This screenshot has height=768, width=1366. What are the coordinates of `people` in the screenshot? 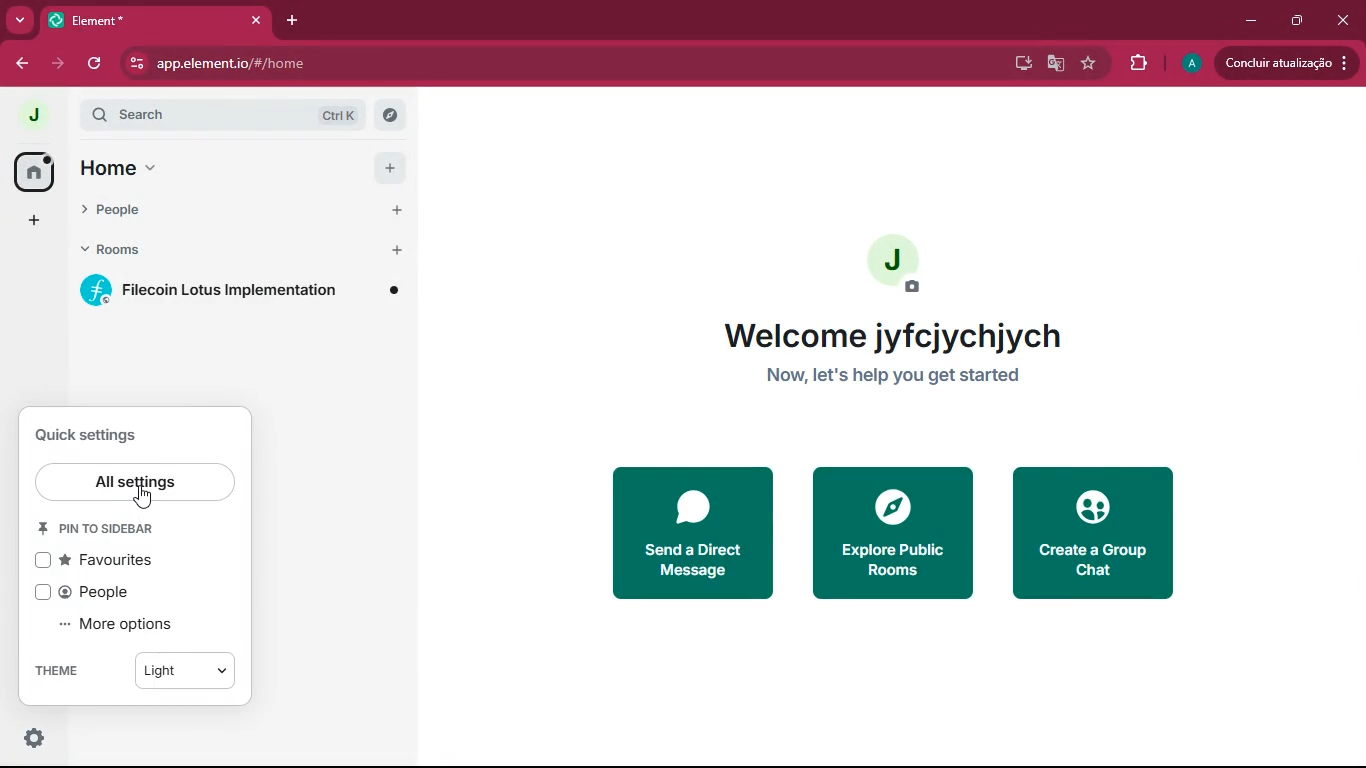 It's located at (91, 594).